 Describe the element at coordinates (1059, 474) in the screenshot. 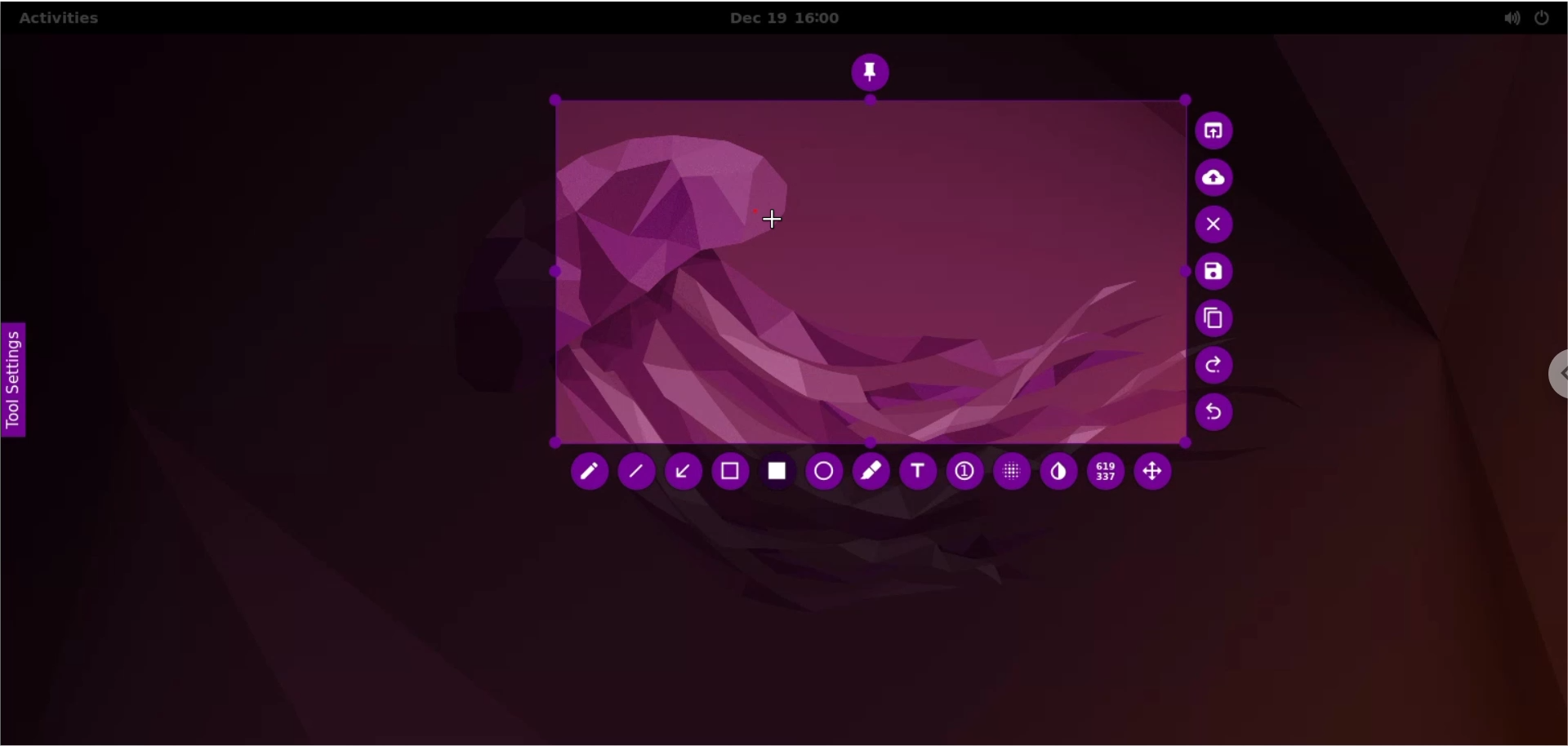

I see `inverter` at that location.